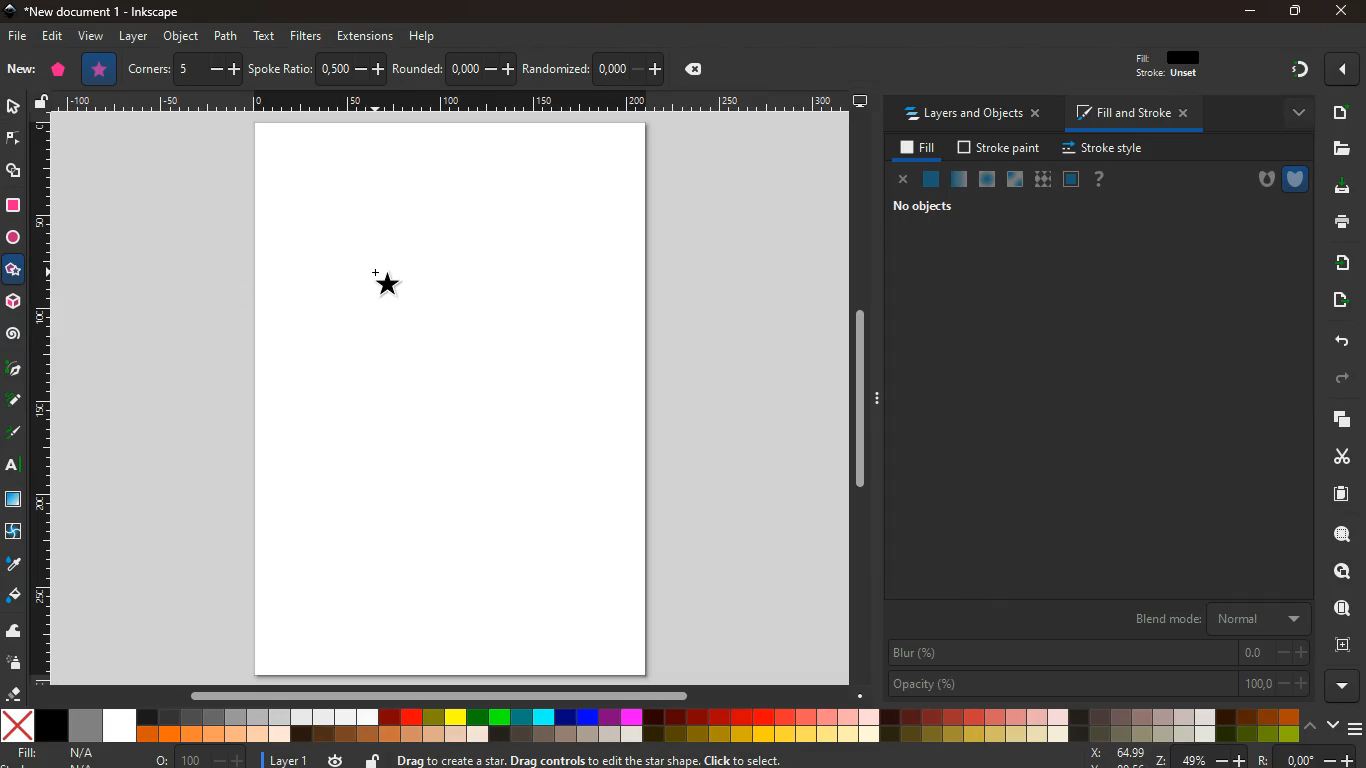 Image resolution: width=1366 pixels, height=768 pixels. I want to click on stroke paint, so click(1000, 146).